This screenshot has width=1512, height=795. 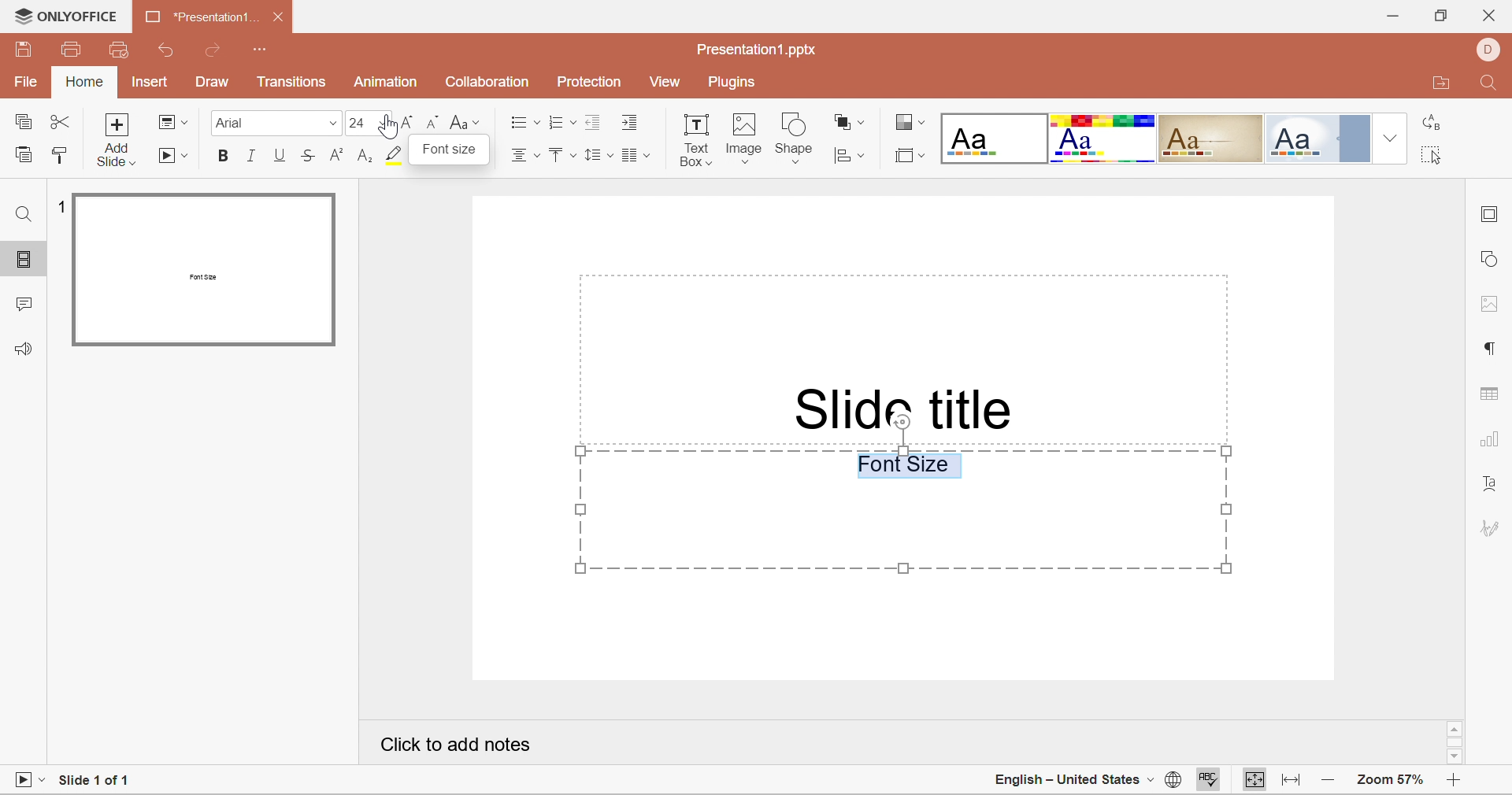 What do you see at coordinates (1457, 727) in the screenshot?
I see `Scroll Up` at bounding box center [1457, 727].